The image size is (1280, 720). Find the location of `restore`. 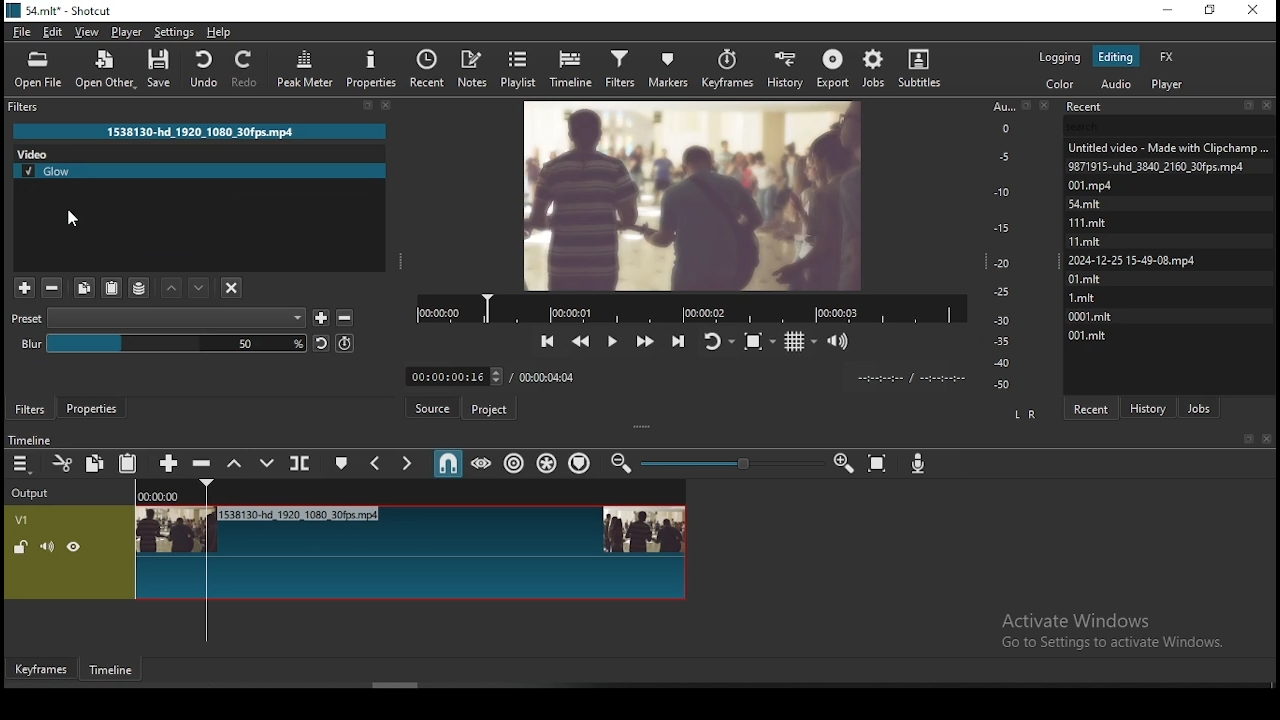

restore is located at coordinates (1212, 13).